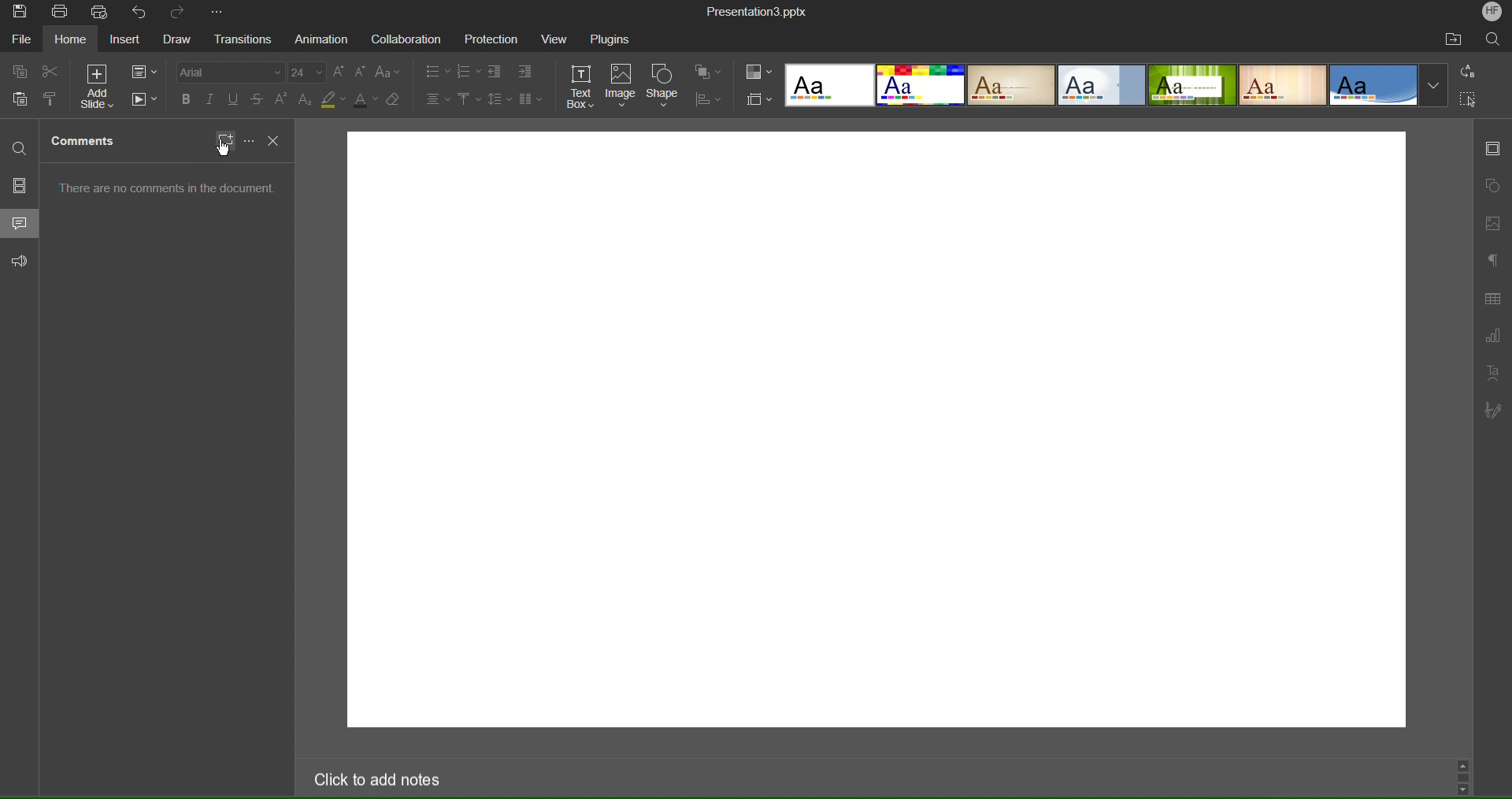  What do you see at coordinates (1495, 300) in the screenshot?
I see `Table` at bounding box center [1495, 300].